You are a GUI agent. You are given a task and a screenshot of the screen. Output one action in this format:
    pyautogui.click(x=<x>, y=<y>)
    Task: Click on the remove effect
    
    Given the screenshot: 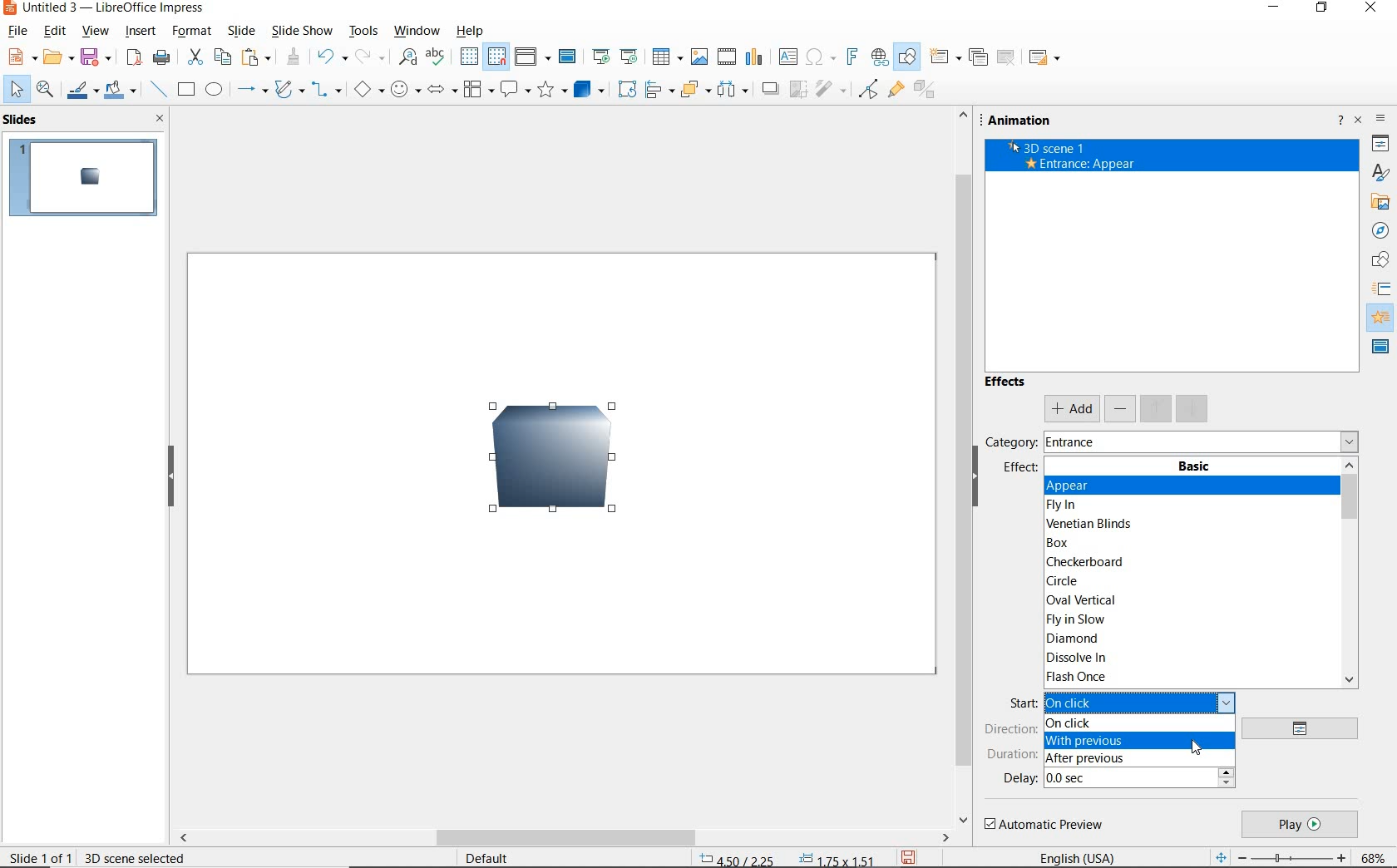 What is the action you would take?
    pyautogui.click(x=1121, y=407)
    